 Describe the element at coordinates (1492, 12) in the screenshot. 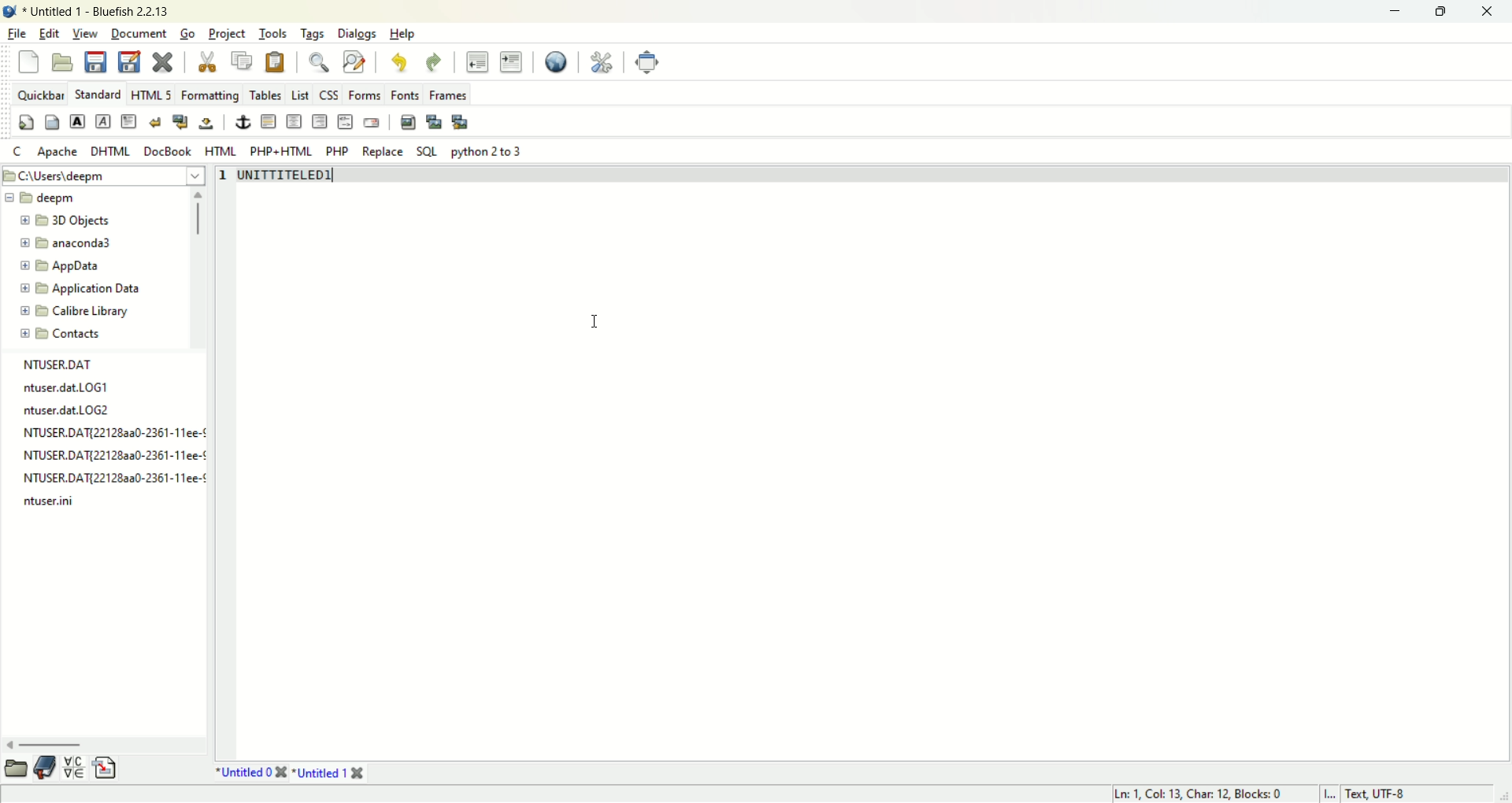

I see `close` at that location.